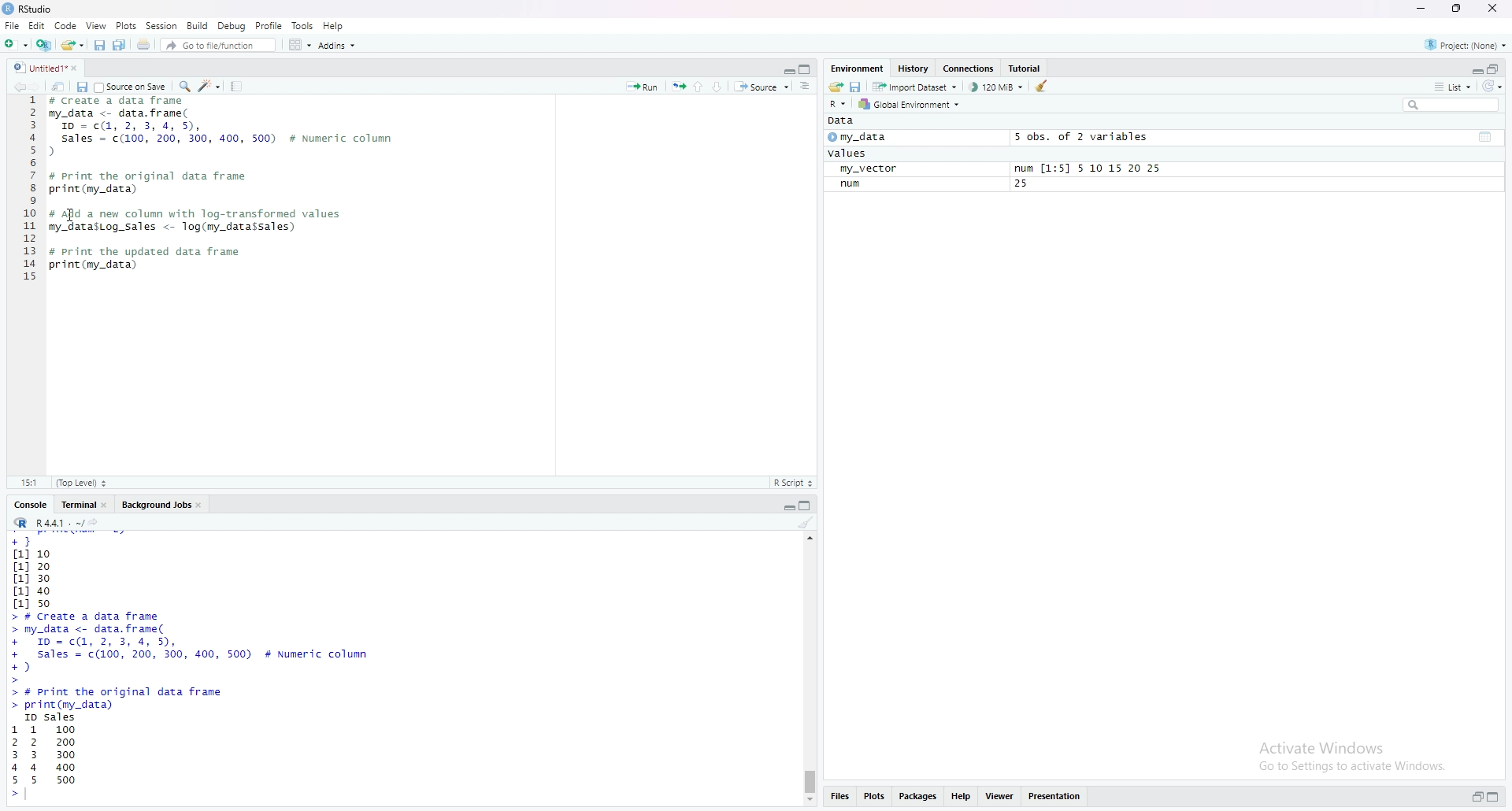 The image size is (1512, 811). What do you see at coordinates (10, 799) in the screenshot?
I see `prompt cursor` at bounding box center [10, 799].